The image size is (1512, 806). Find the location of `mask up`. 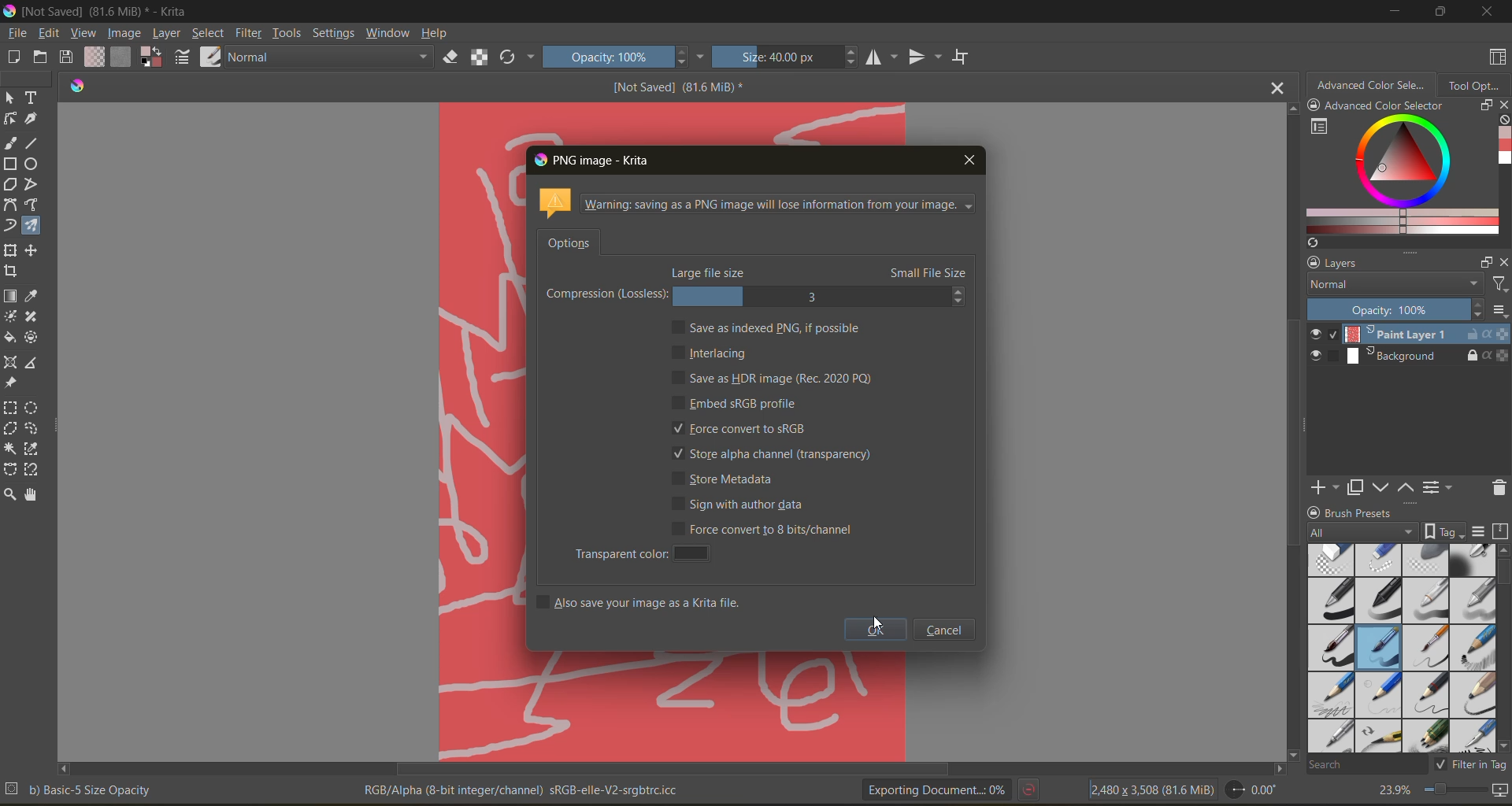

mask up is located at coordinates (1407, 486).